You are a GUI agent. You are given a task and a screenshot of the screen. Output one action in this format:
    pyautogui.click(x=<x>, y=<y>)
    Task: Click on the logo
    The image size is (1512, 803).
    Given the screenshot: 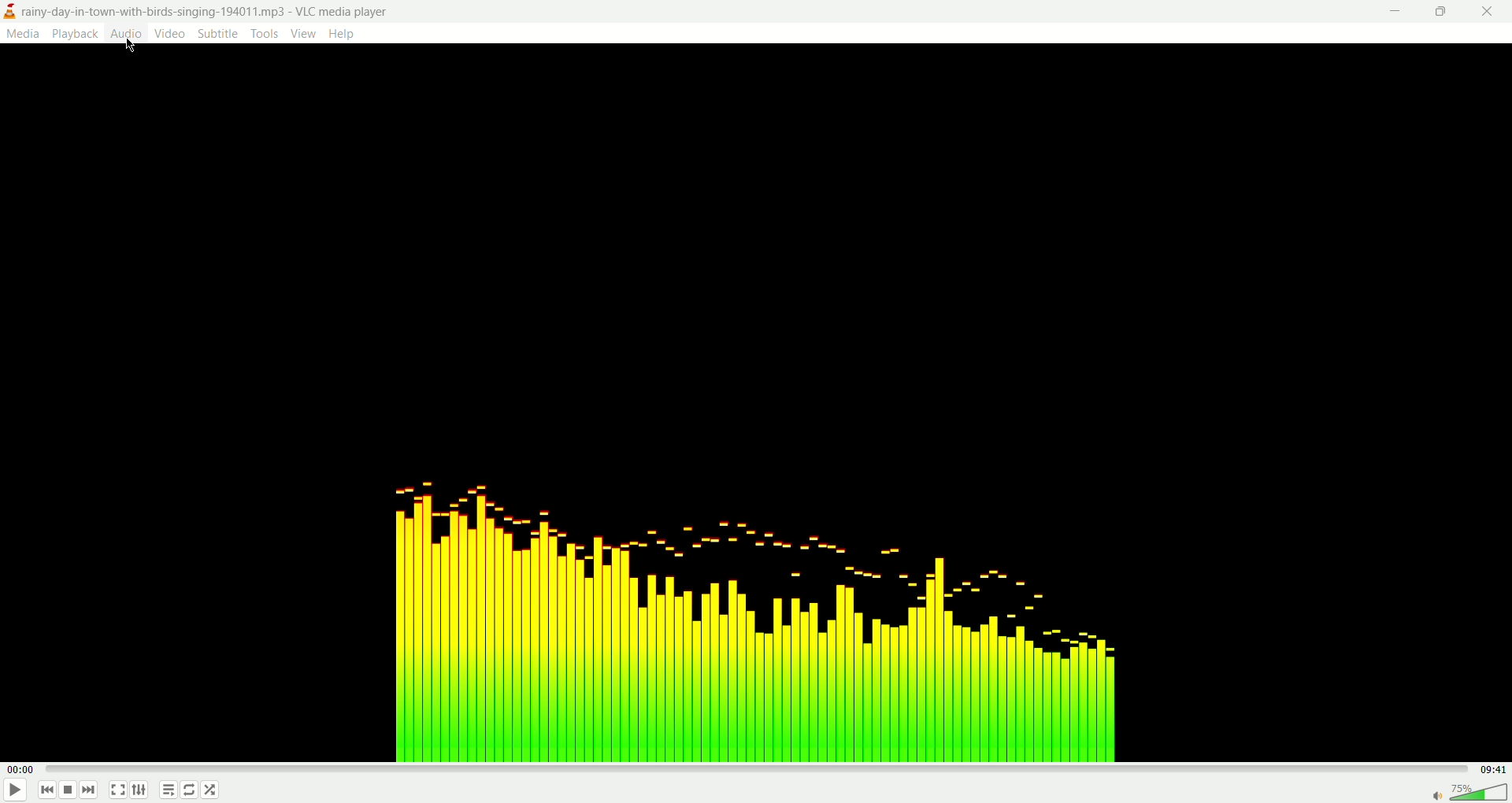 What is the action you would take?
    pyautogui.click(x=9, y=13)
    